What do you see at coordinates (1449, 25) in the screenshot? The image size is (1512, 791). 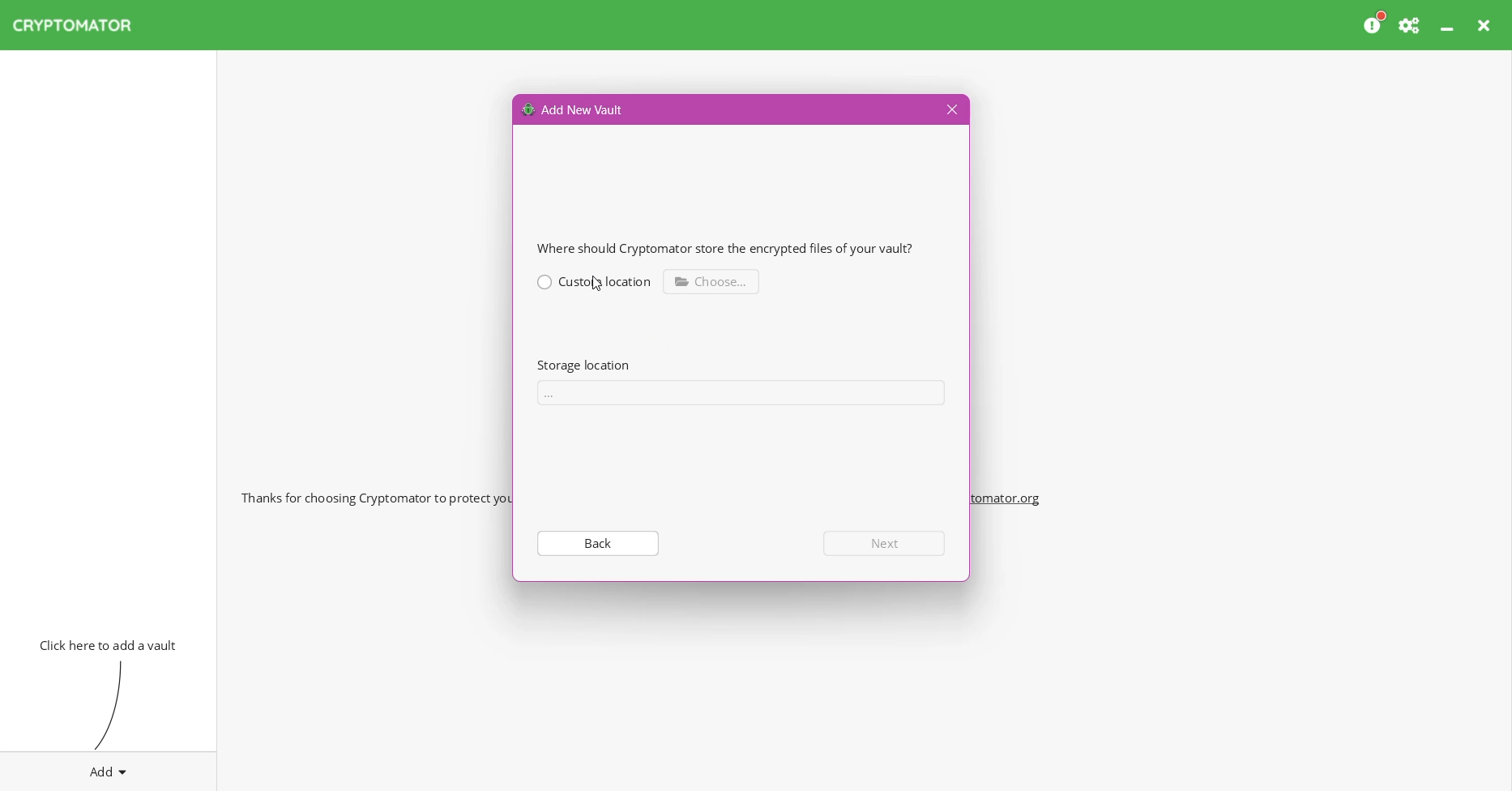 I see `Minimize` at bounding box center [1449, 25].